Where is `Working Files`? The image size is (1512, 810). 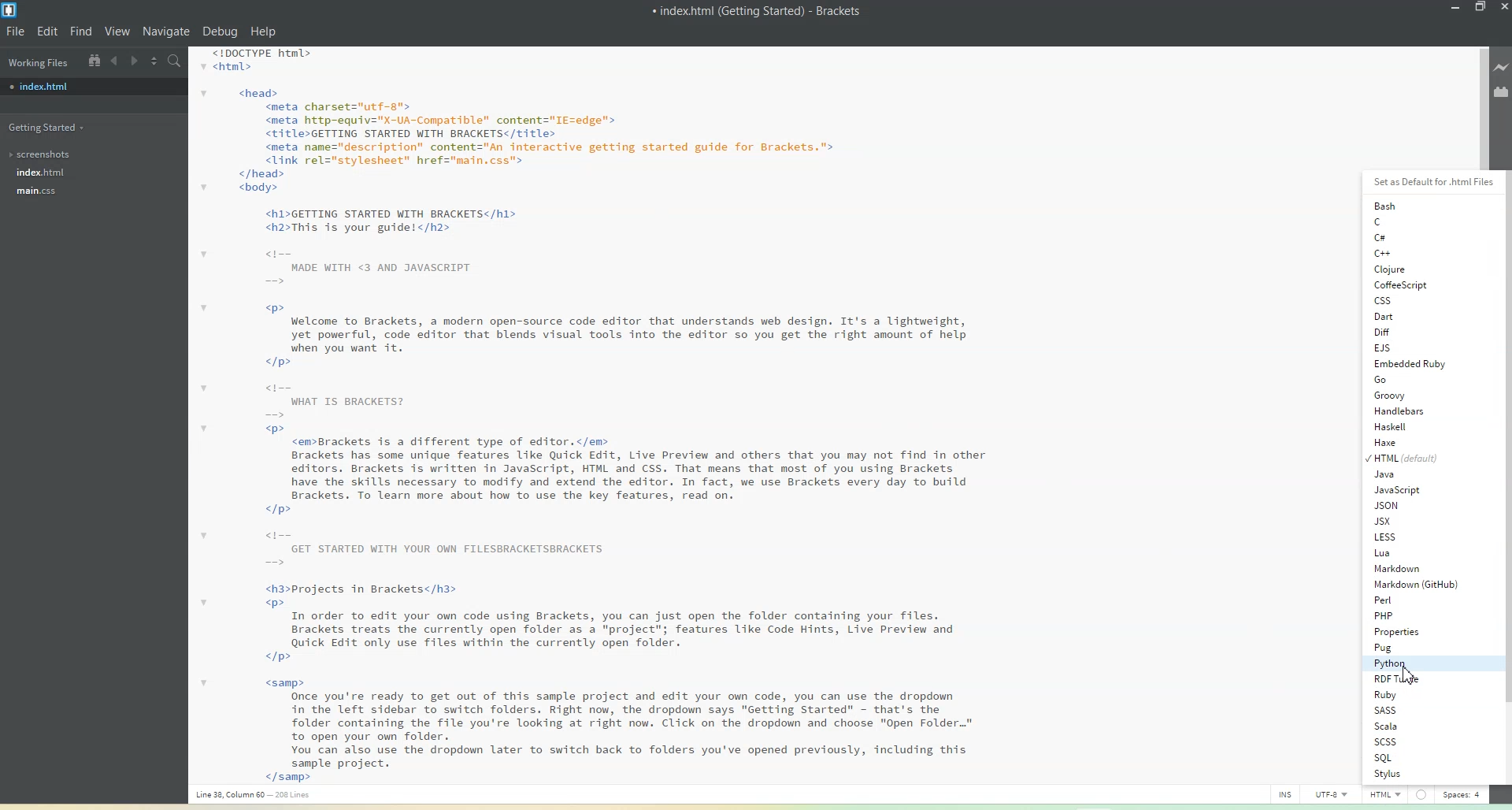
Working Files is located at coordinates (37, 61).